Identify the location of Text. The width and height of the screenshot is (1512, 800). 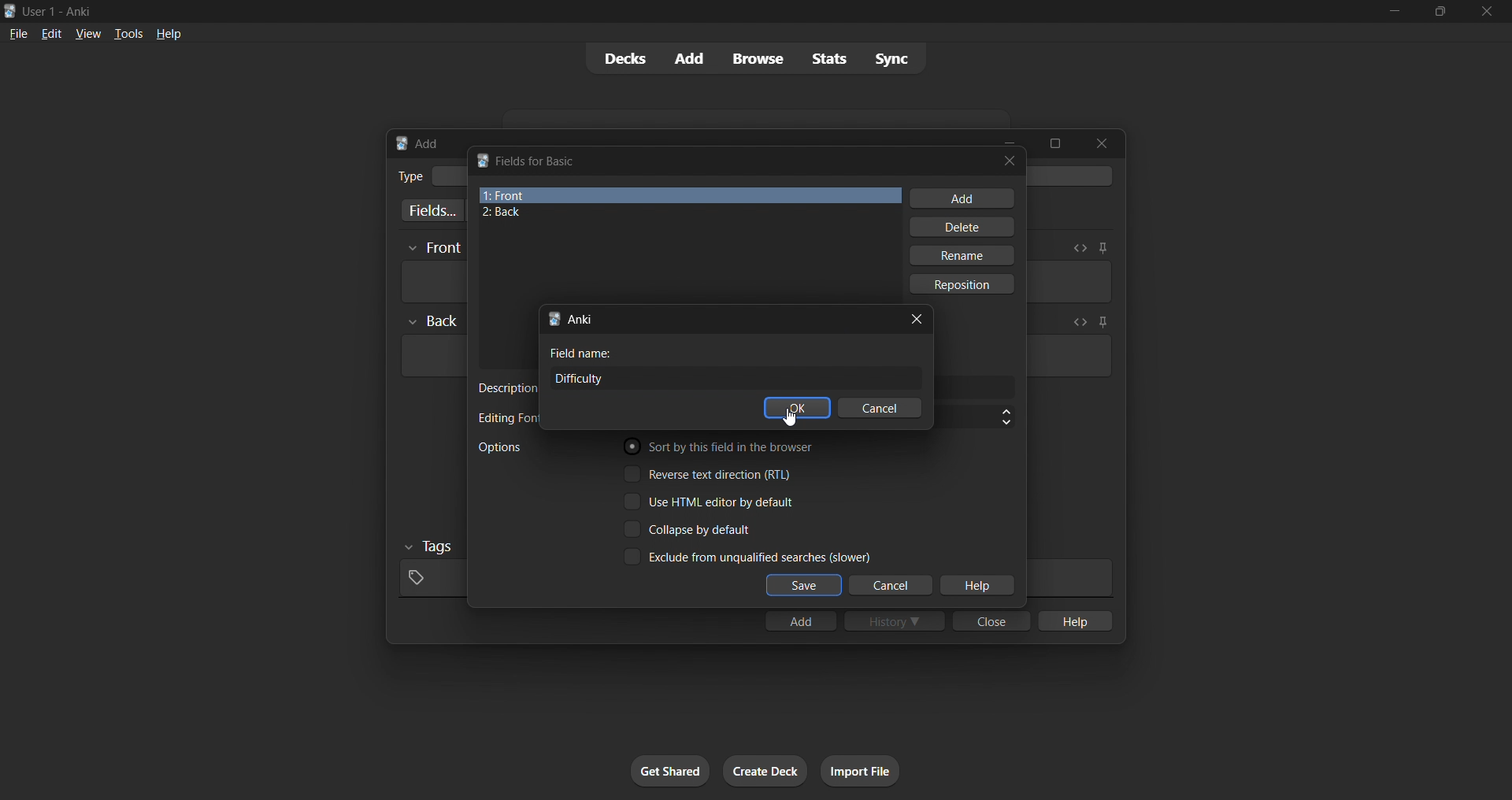
(506, 418).